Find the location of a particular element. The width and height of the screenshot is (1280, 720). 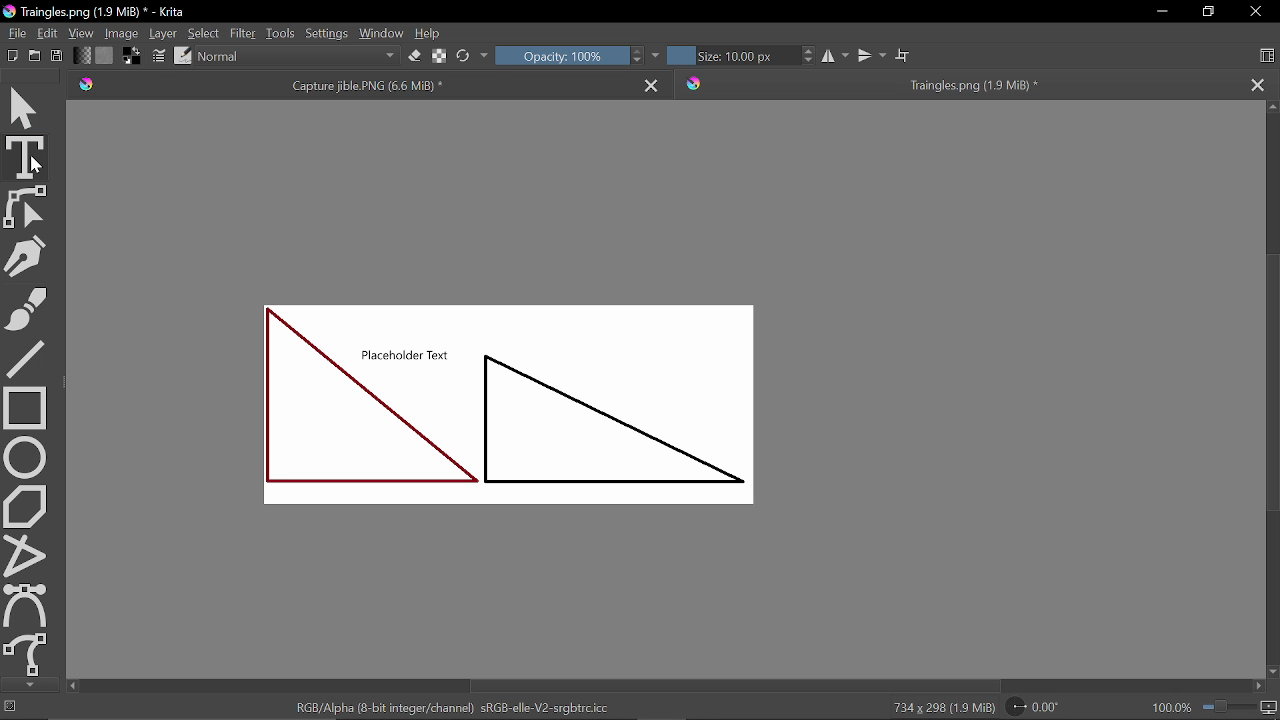

Reload original preset is located at coordinates (462, 56).